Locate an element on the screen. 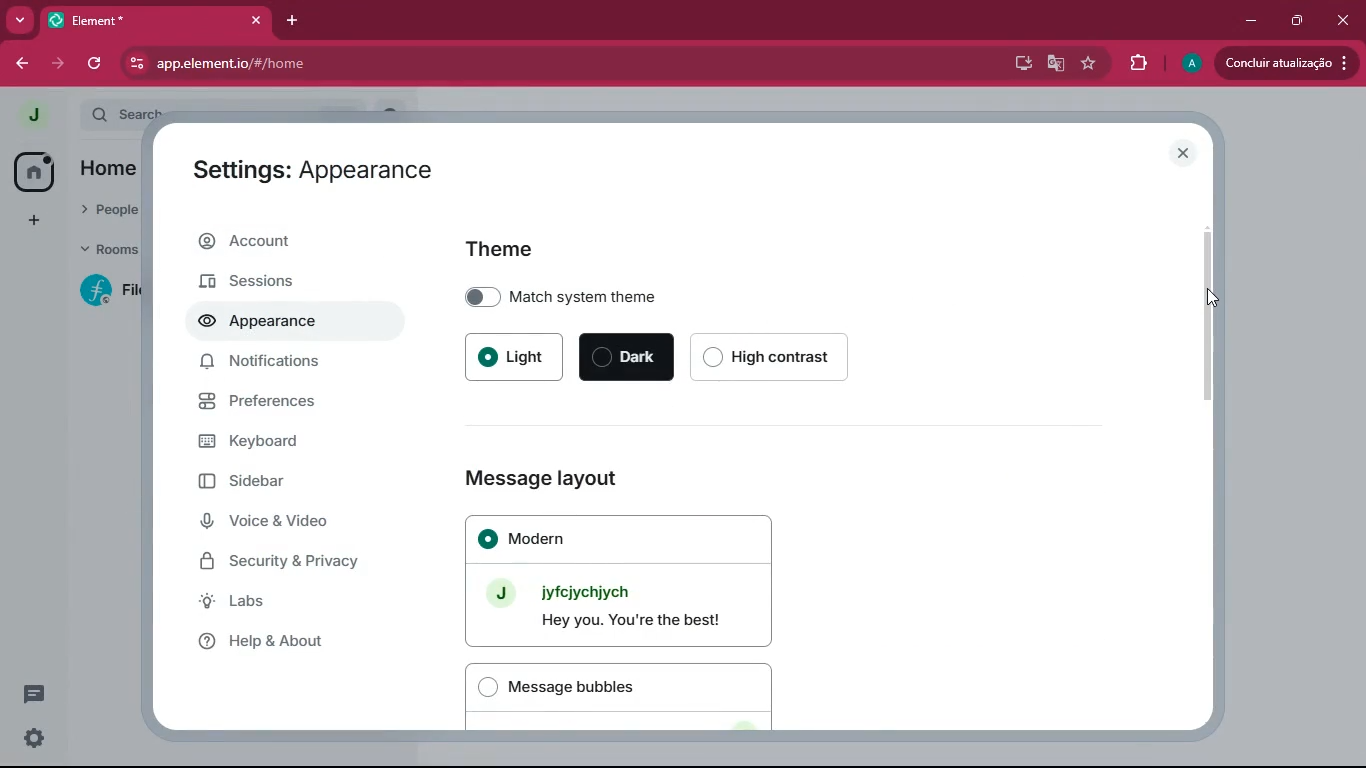 This screenshot has width=1366, height=768. close is located at coordinates (256, 20).